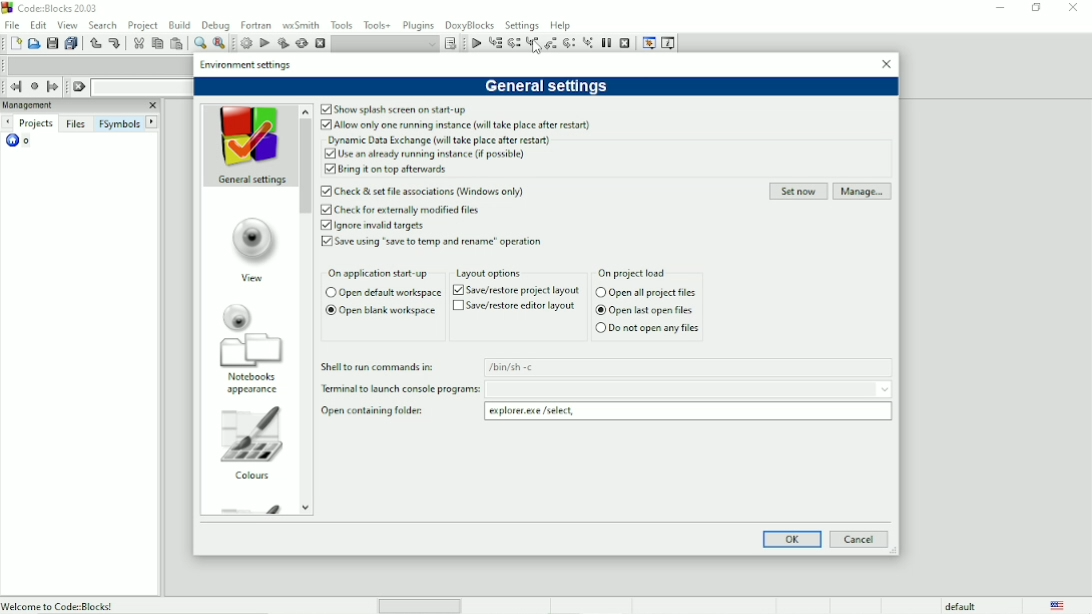 The width and height of the screenshot is (1092, 614). I want to click on Settings, so click(523, 24).